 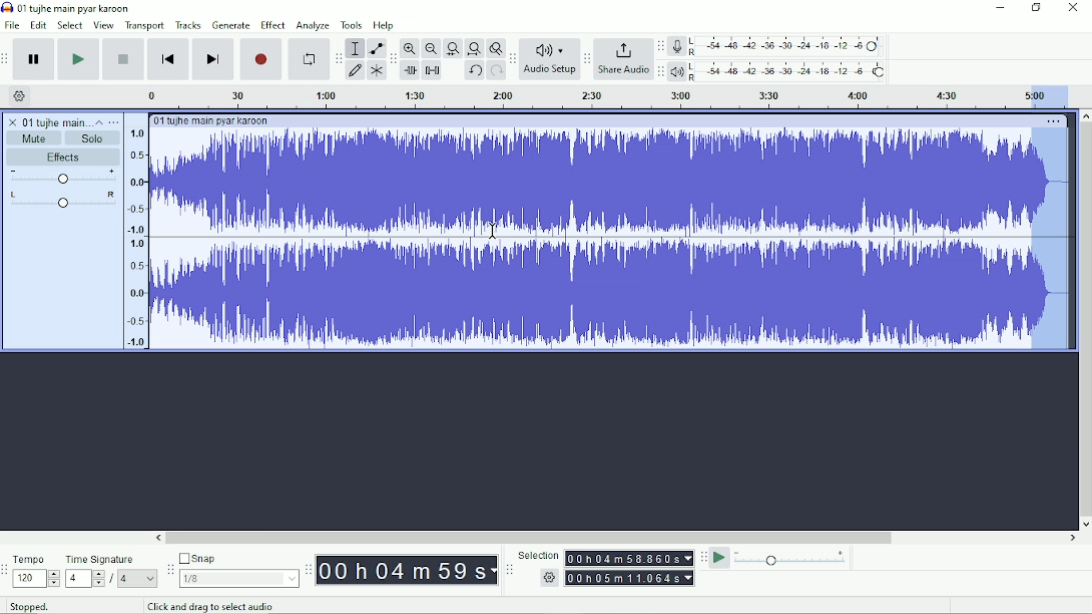 I want to click on Trim audio outside selection, so click(x=410, y=71).